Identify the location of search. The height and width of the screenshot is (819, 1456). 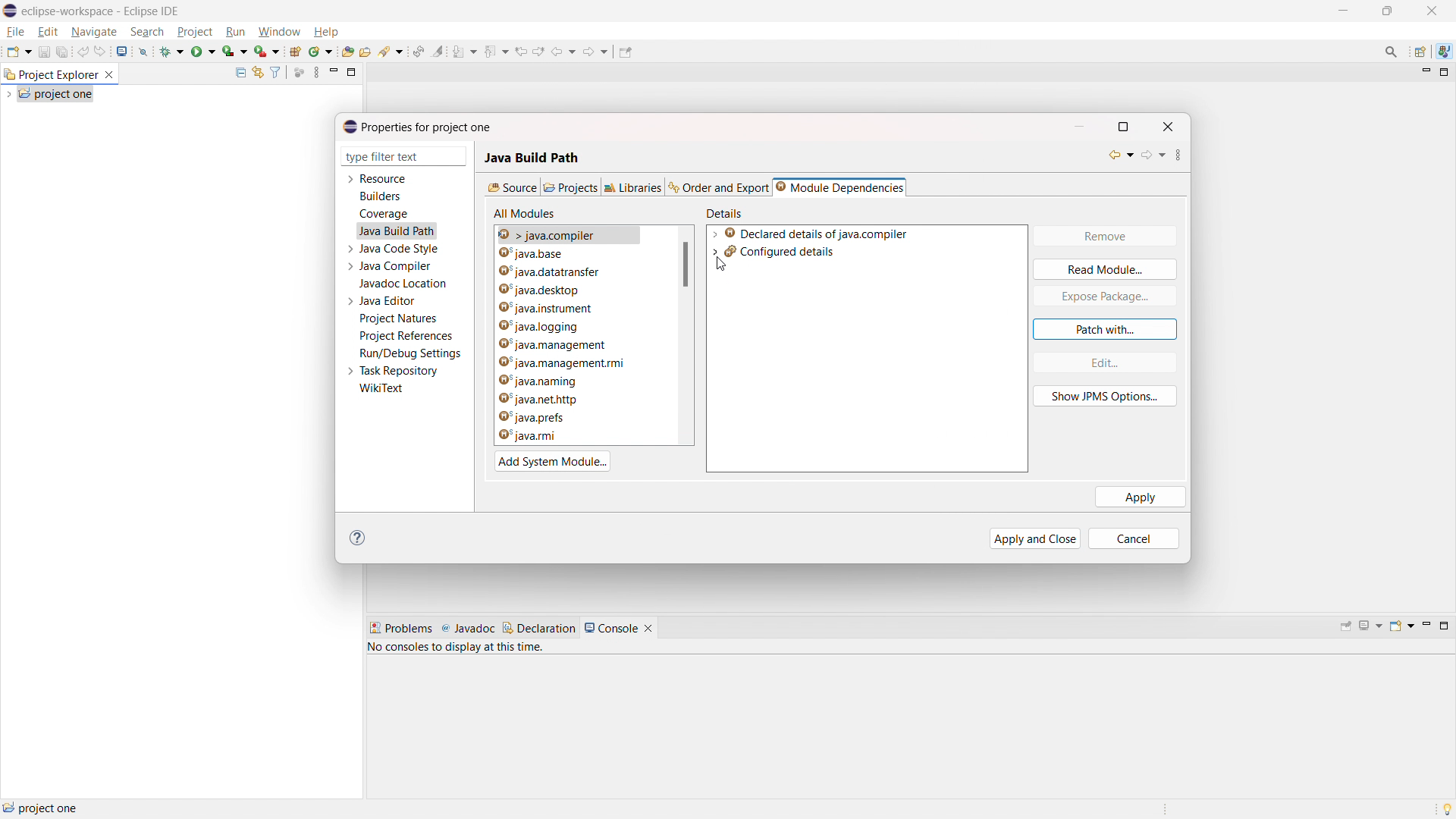
(391, 52).